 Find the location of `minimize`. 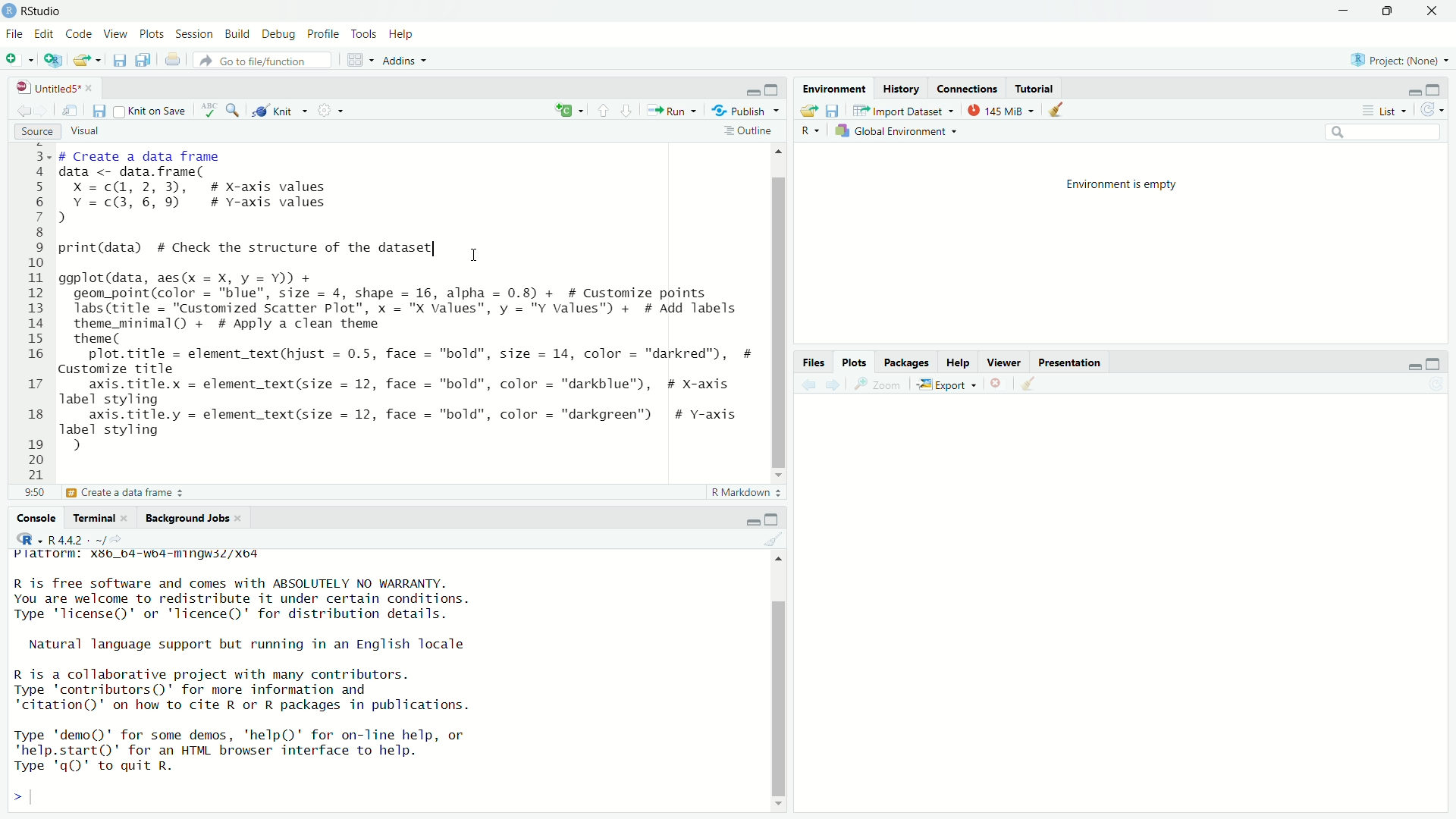

minimize is located at coordinates (752, 93).